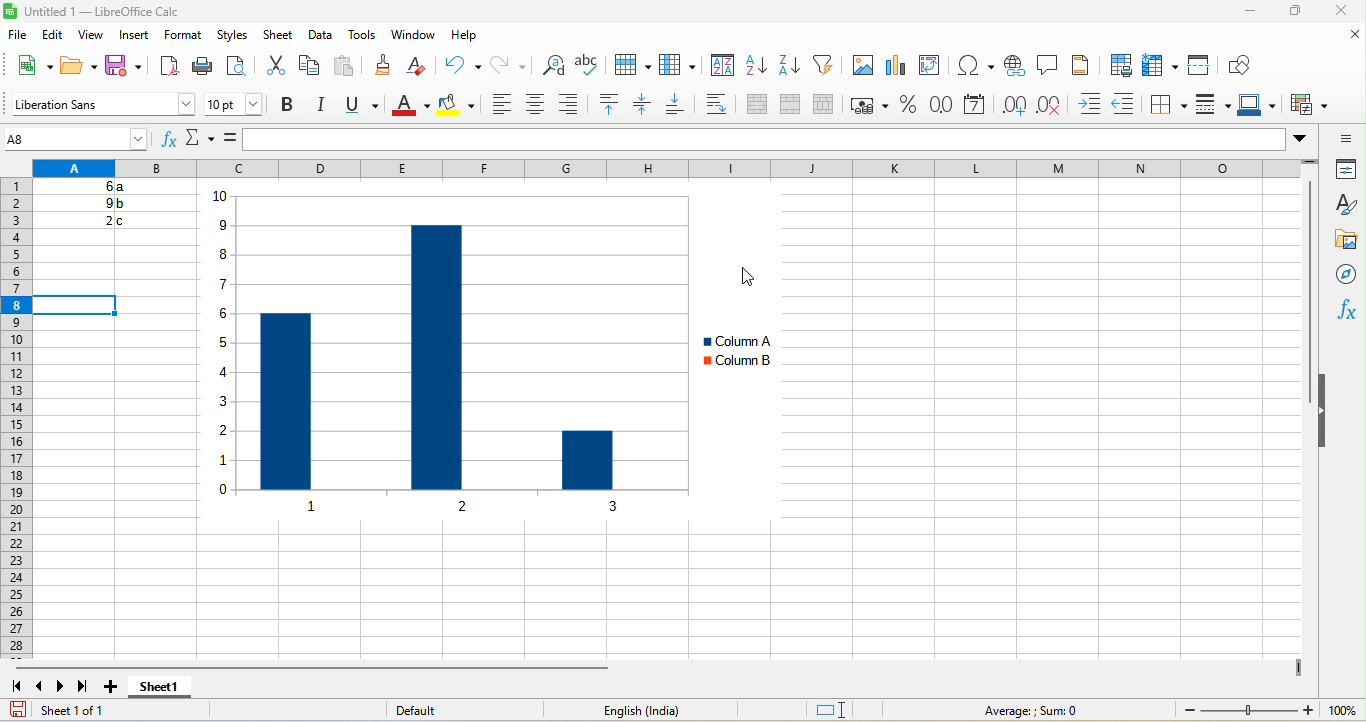 The image size is (1366, 722). I want to click on tools, so click(362, 35).